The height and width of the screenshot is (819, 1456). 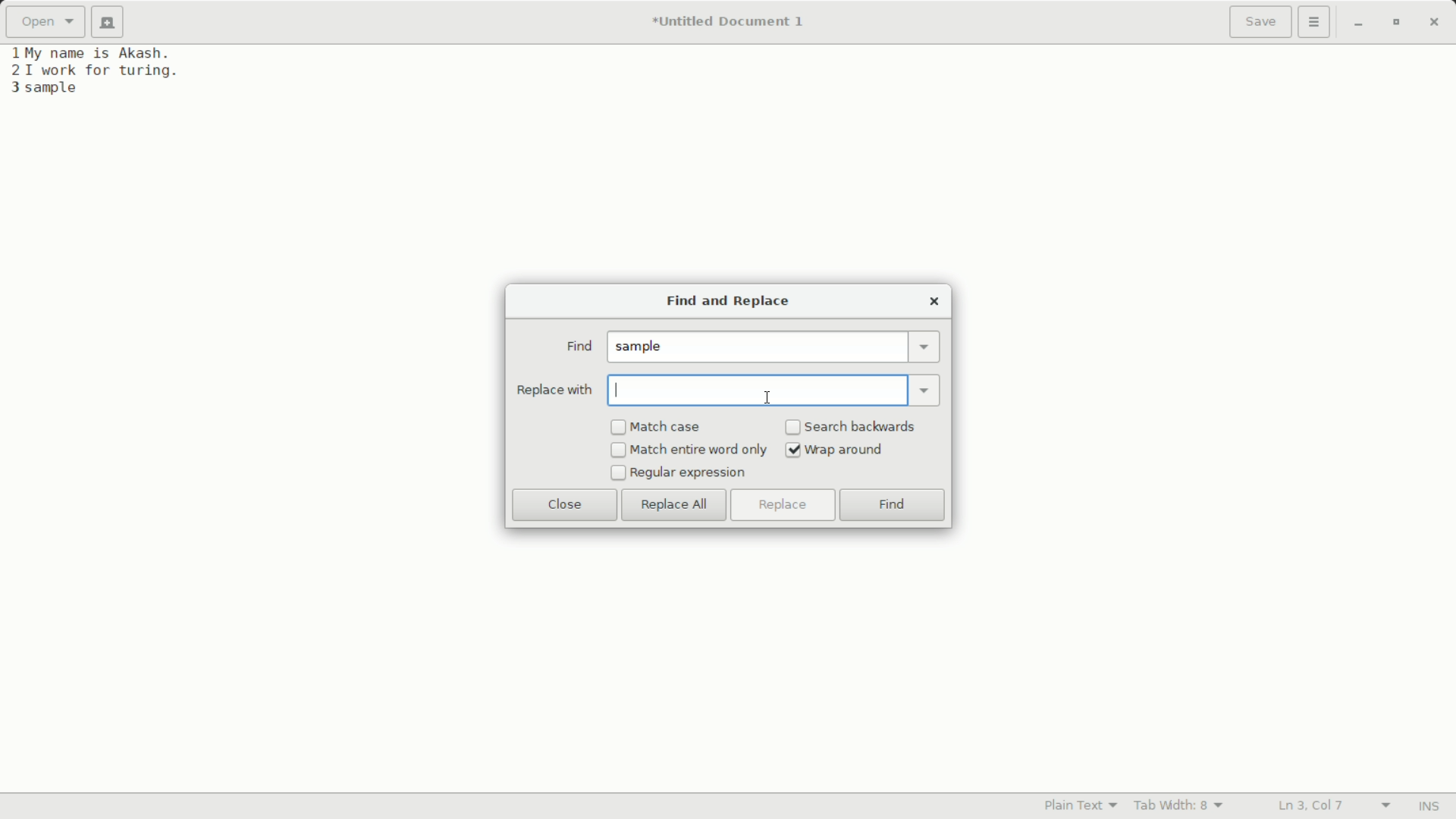 I want to click on 21 work for turing., so click(x=93, y=71).